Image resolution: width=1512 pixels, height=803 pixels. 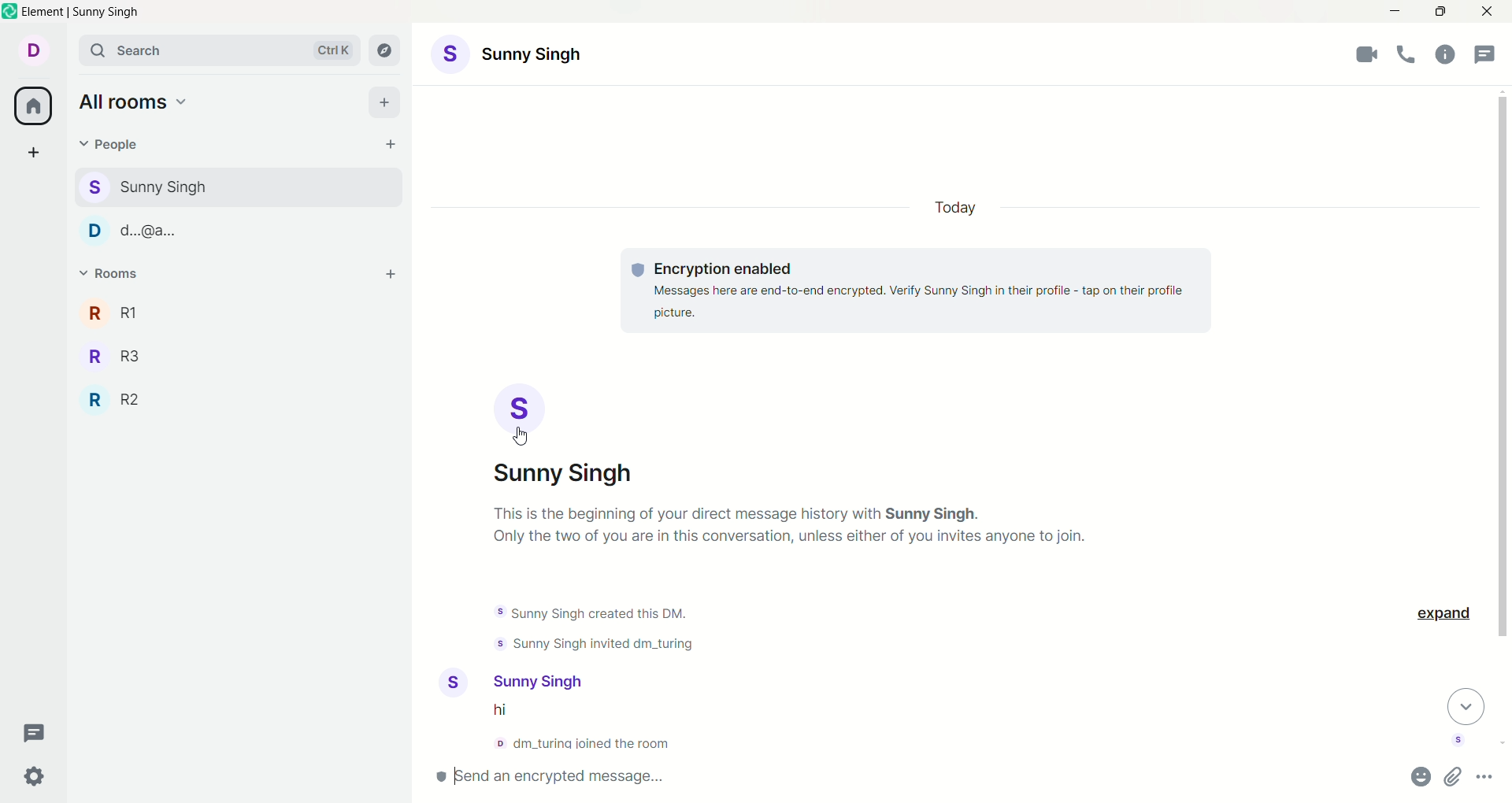 I want to click on expand, so click(x=1443, y=615).